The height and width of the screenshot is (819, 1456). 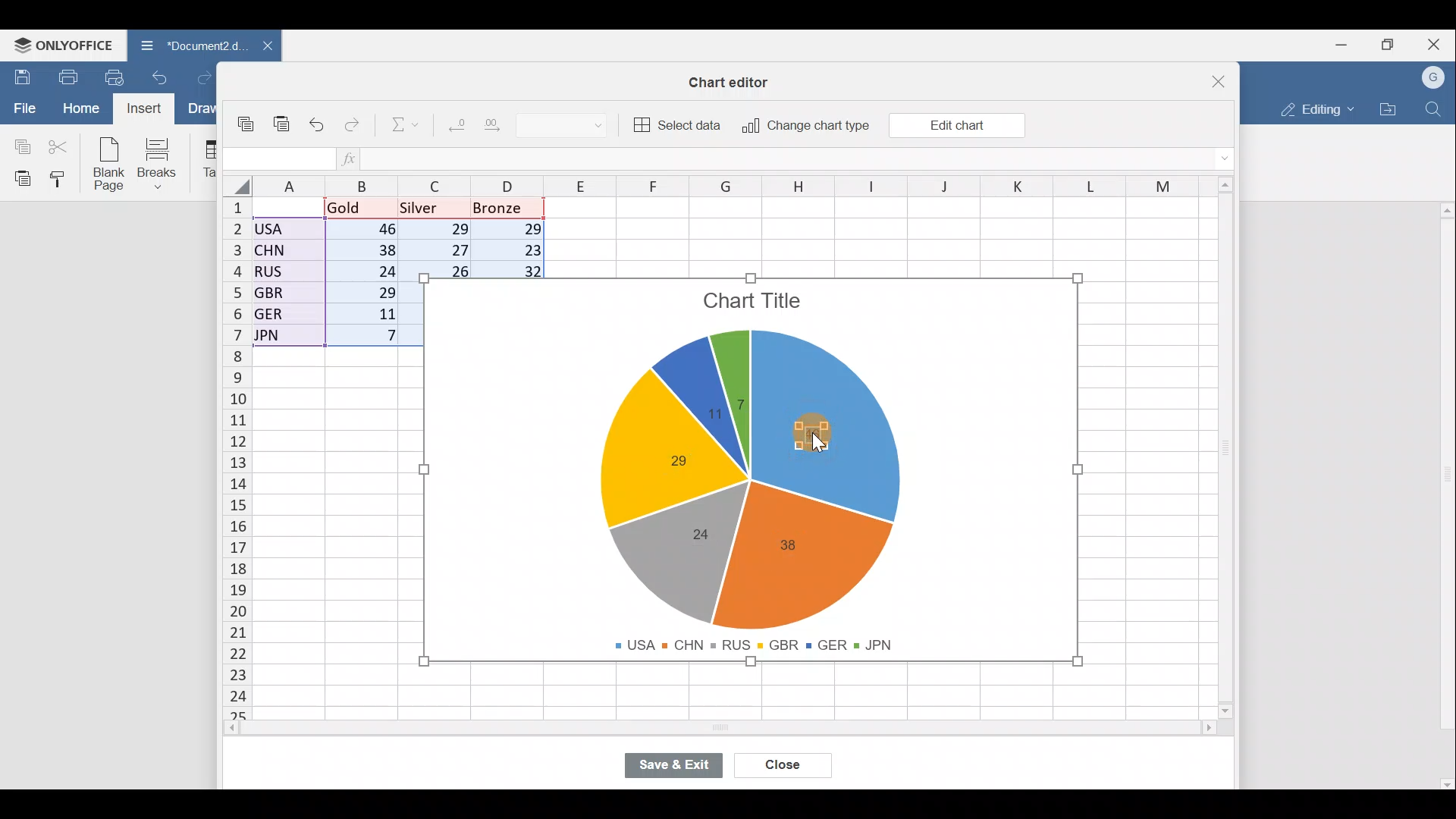 What do you see at coordinates (742, 729) in the screenshot?
I see `Scroll bar` at bounding box center [742, 729].